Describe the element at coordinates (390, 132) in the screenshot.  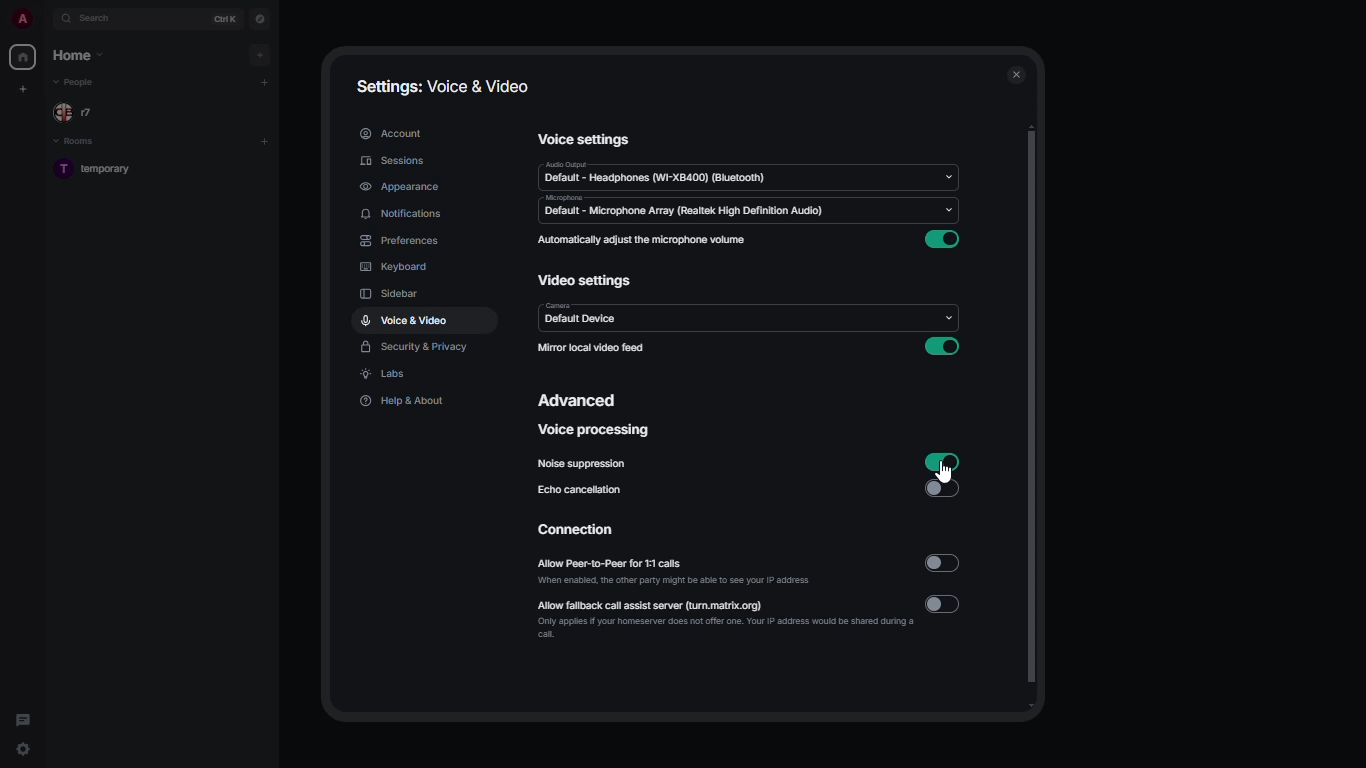
I see `account` at that location.